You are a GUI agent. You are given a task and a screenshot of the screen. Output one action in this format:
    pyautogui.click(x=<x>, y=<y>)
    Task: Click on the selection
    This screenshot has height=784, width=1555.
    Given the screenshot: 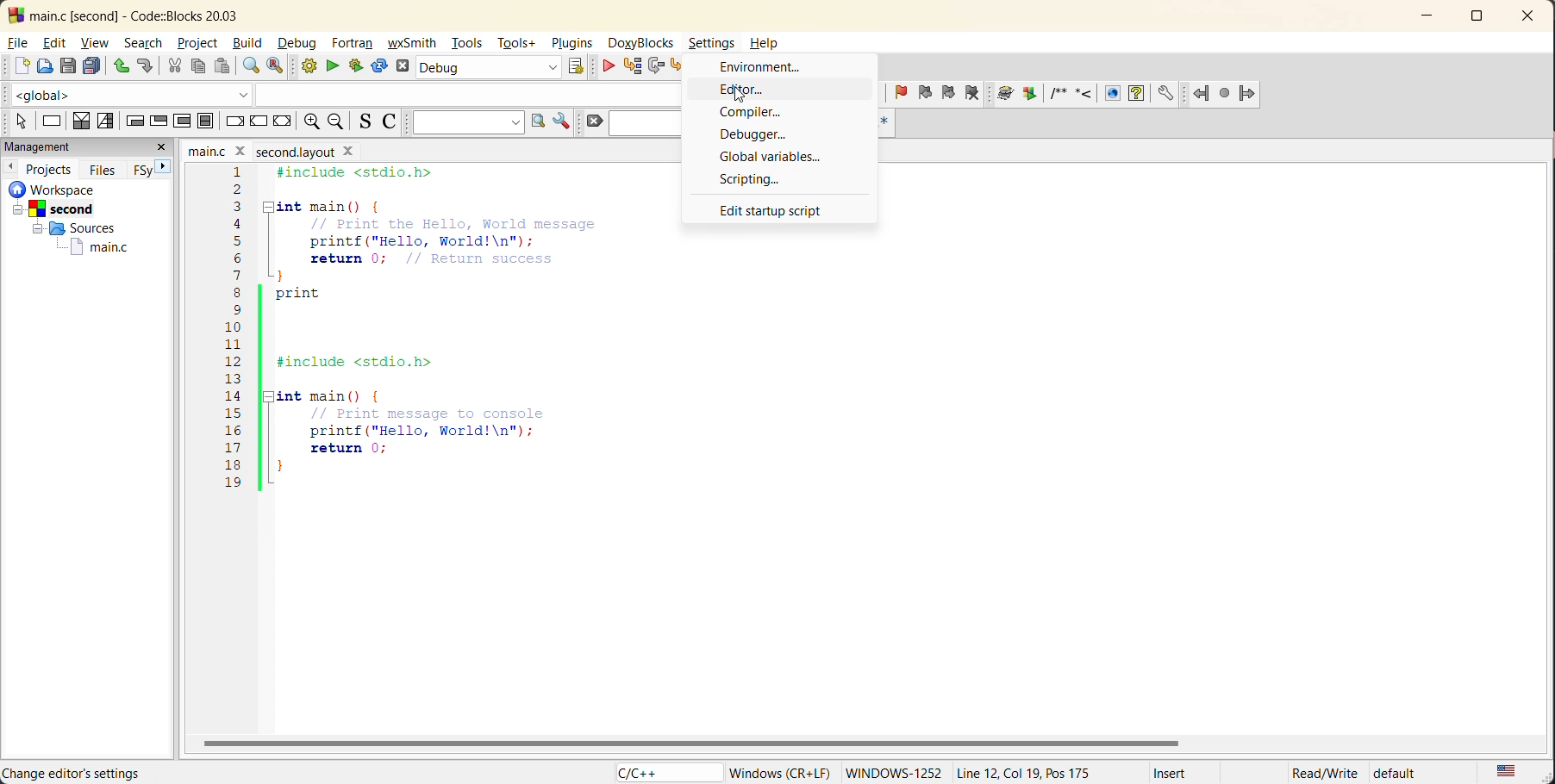 What is the action you would take?
    pyautogui.click(x=105, y=122)
    